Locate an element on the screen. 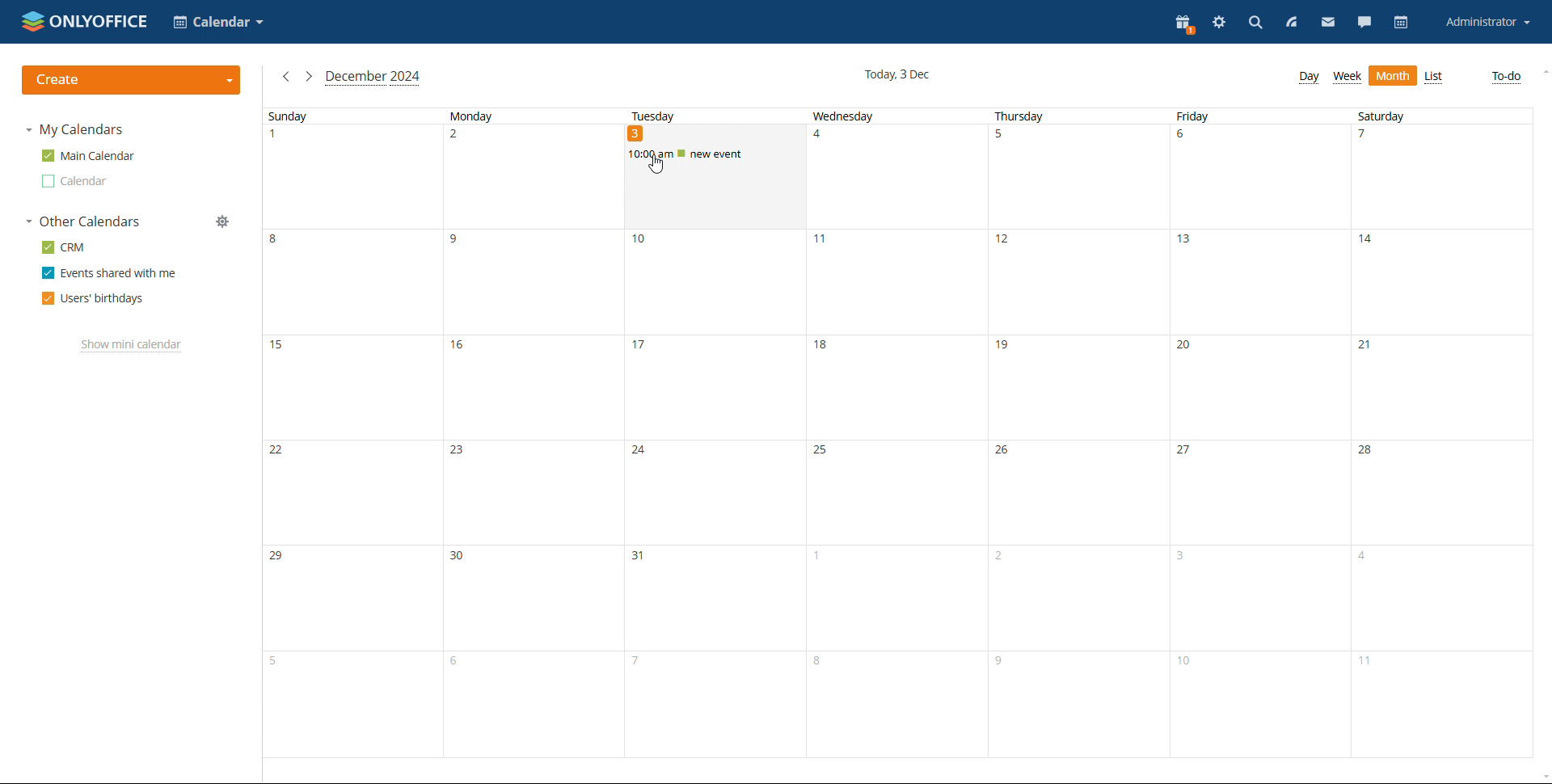 The image size is (1552, 784). 3 is located at coordinates (1261, 597).